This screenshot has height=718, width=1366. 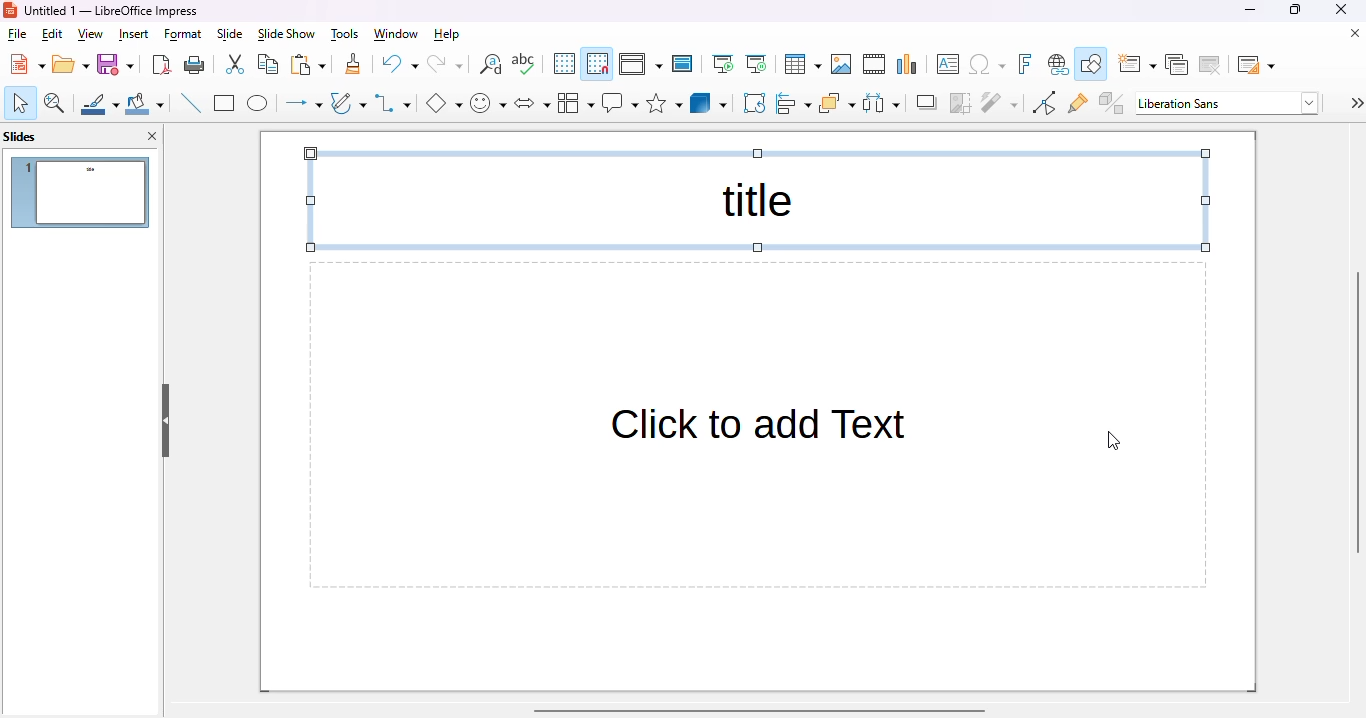 I want to click on master slide, so click(x=683, y=64).